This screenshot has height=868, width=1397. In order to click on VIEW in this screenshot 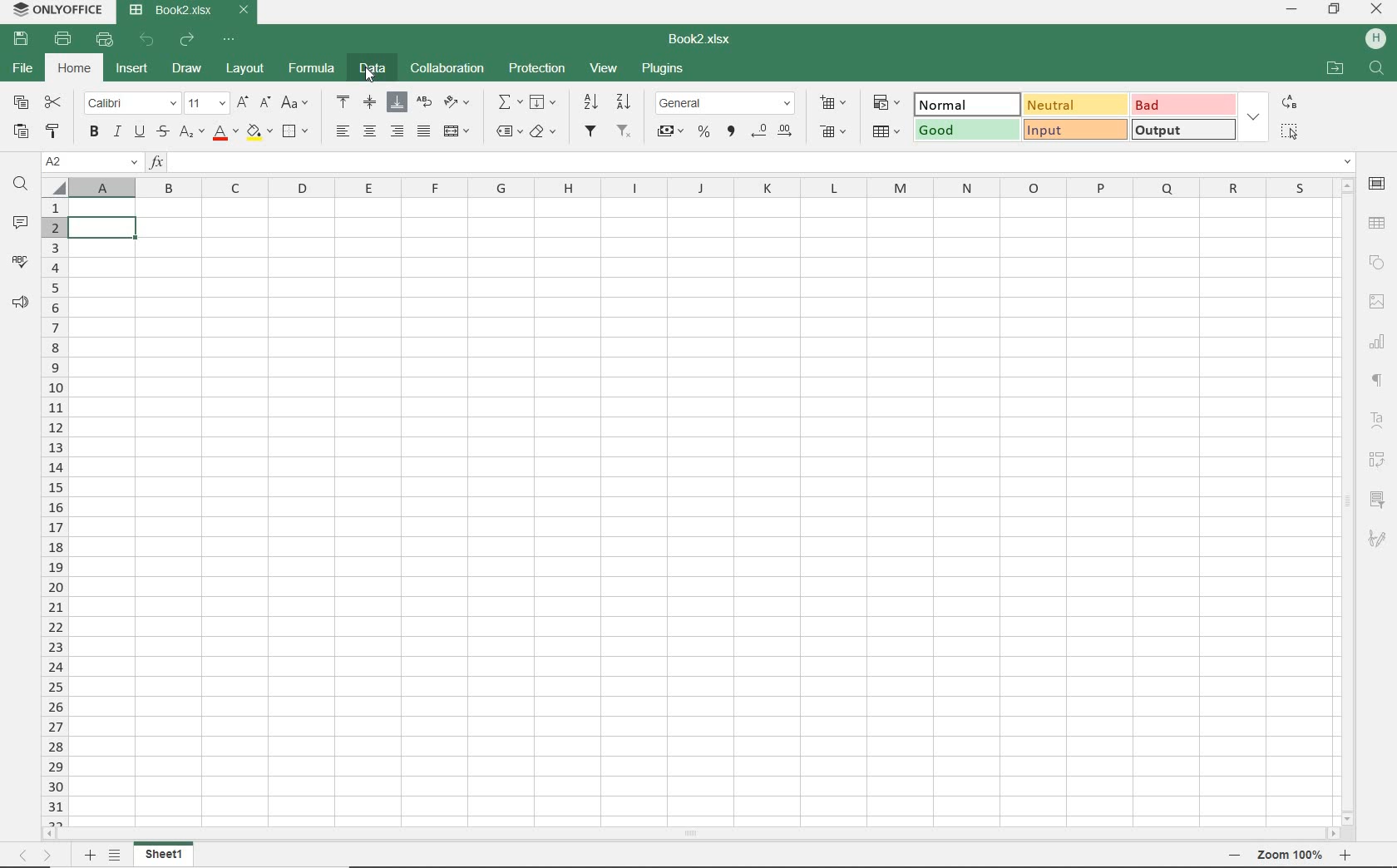, I will do `click(605, 67)`.